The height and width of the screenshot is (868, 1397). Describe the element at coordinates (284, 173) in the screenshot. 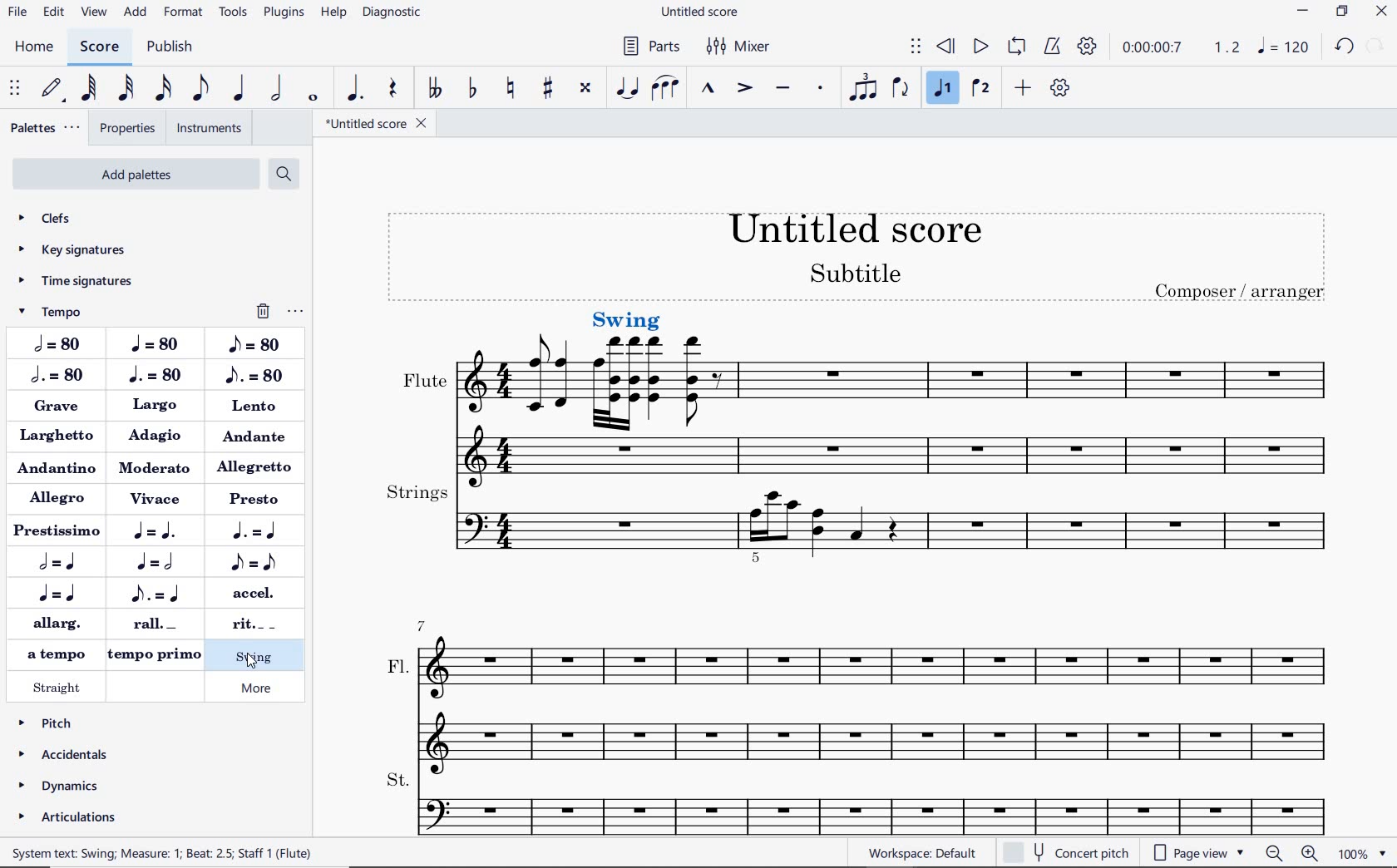

I see `search palettes` at that location.